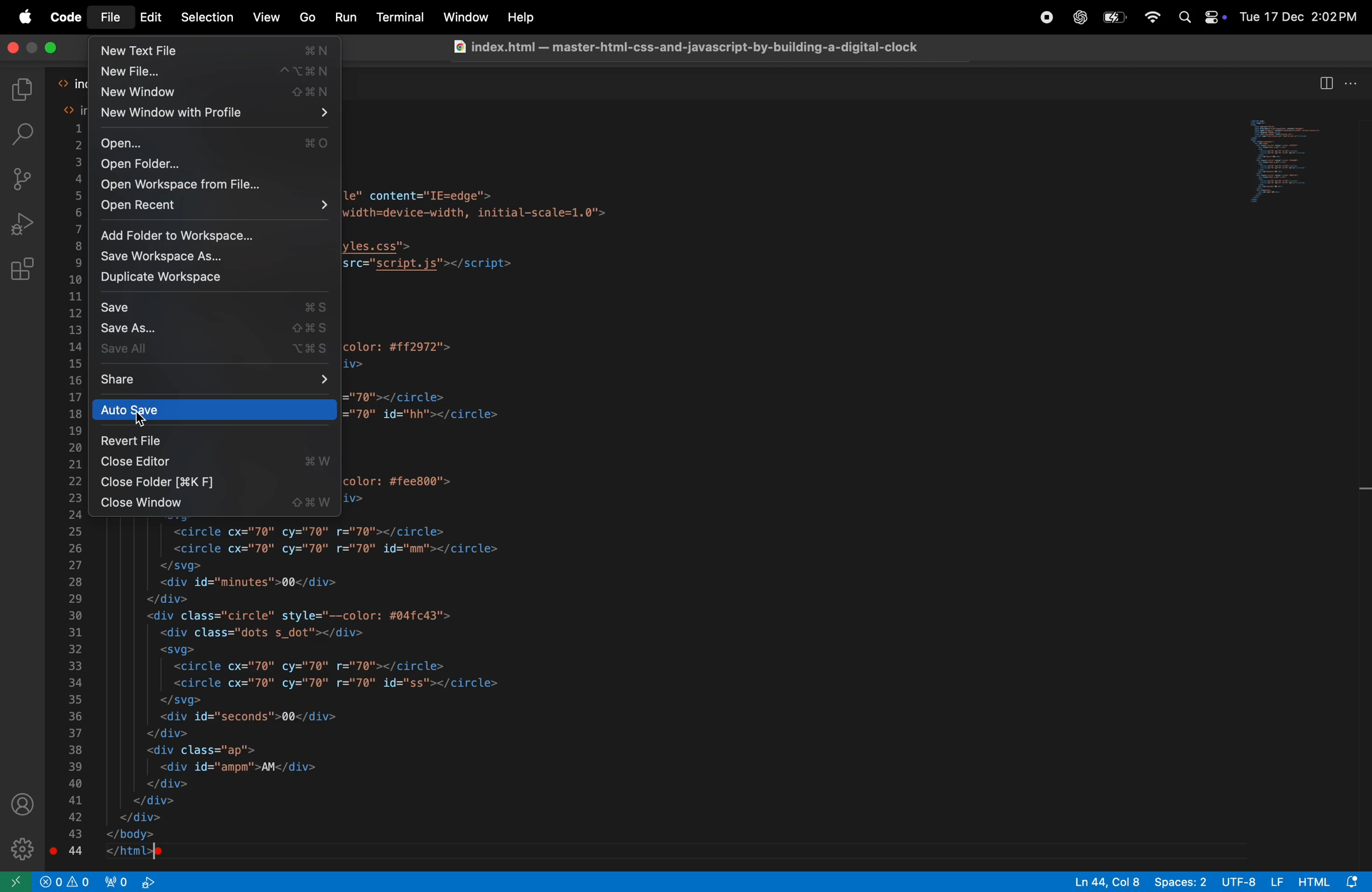  Describe the element at coordinates (26, 18) in the screenshot. I see `apple menu` at that location.